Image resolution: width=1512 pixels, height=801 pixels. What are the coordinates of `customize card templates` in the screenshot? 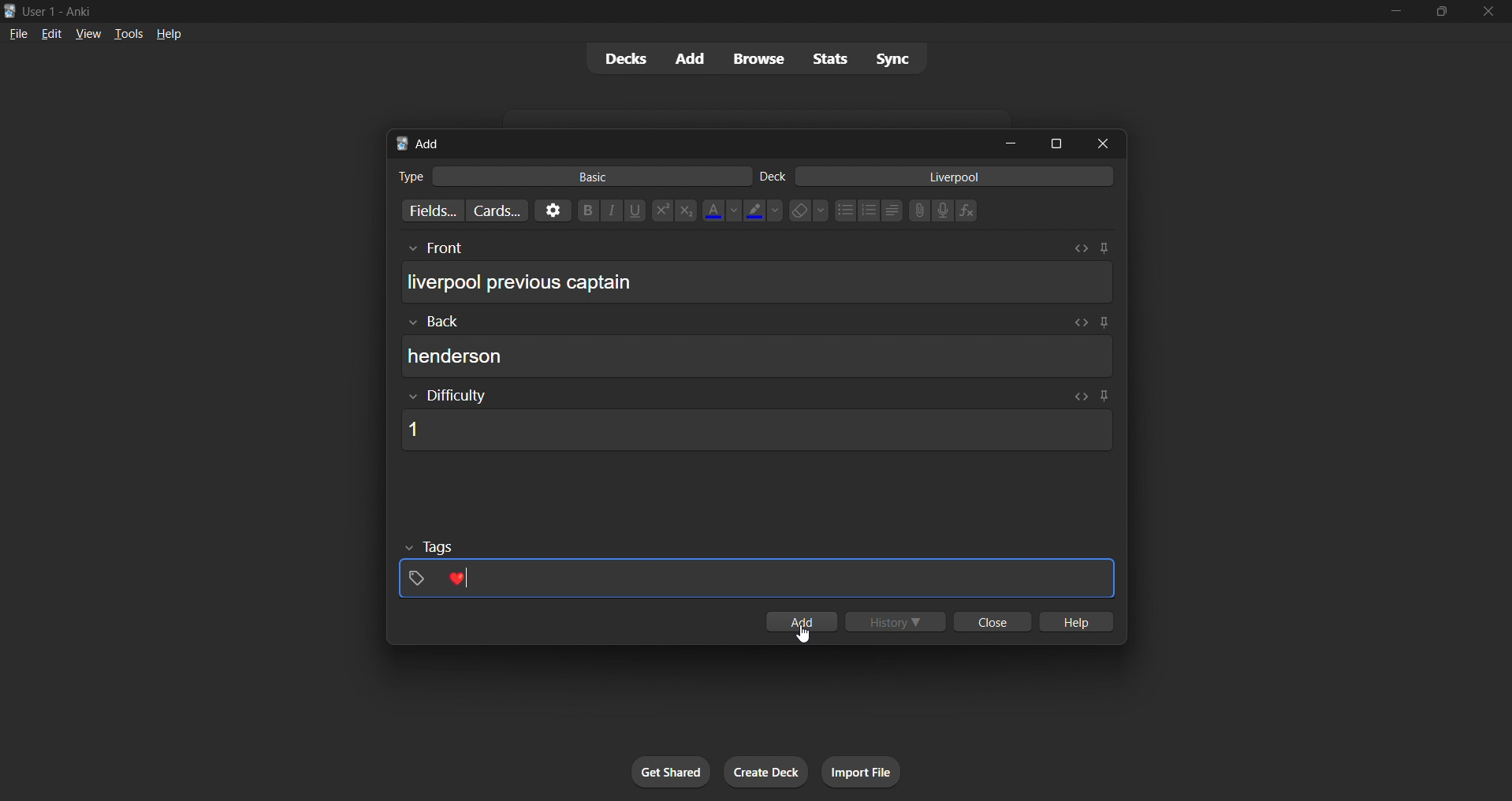 It's located at (495, 210).